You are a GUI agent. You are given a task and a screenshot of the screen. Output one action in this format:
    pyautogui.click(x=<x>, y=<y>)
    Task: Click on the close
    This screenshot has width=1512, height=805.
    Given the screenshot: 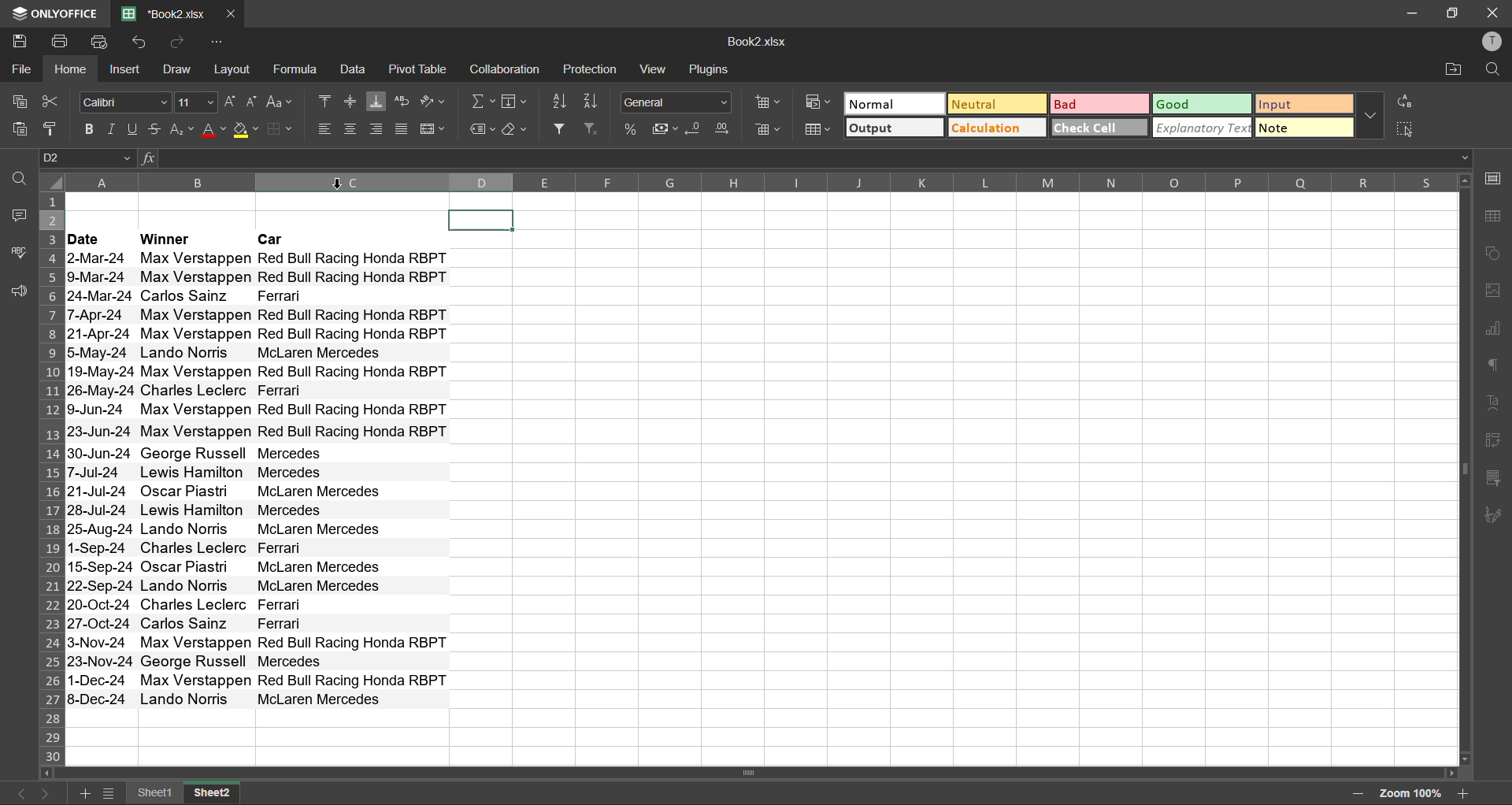 What is the action you would take?
    pyautogui.click(x=1490, y=12)
    